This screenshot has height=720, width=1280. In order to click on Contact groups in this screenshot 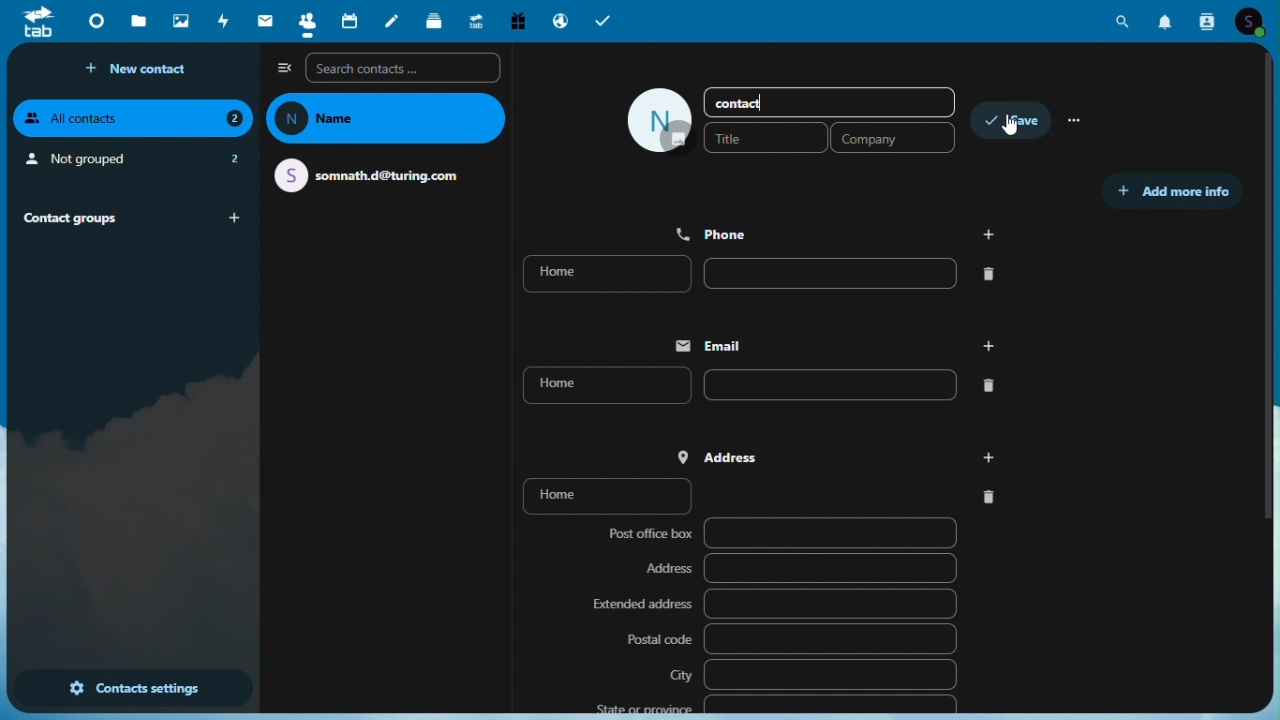, I will do `click(106, 217)`.